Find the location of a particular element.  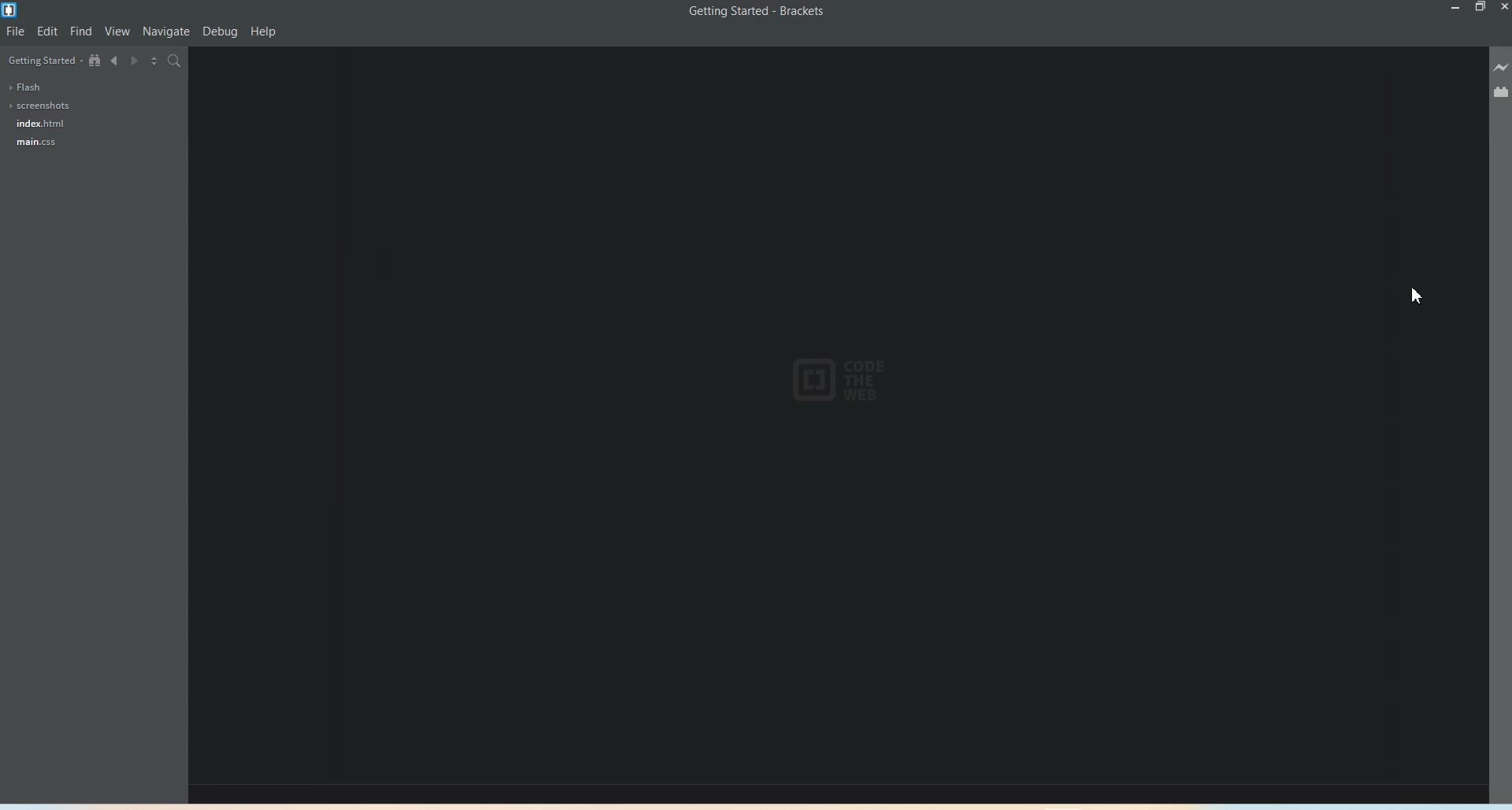

main.css is located at coordinates (34, 141).